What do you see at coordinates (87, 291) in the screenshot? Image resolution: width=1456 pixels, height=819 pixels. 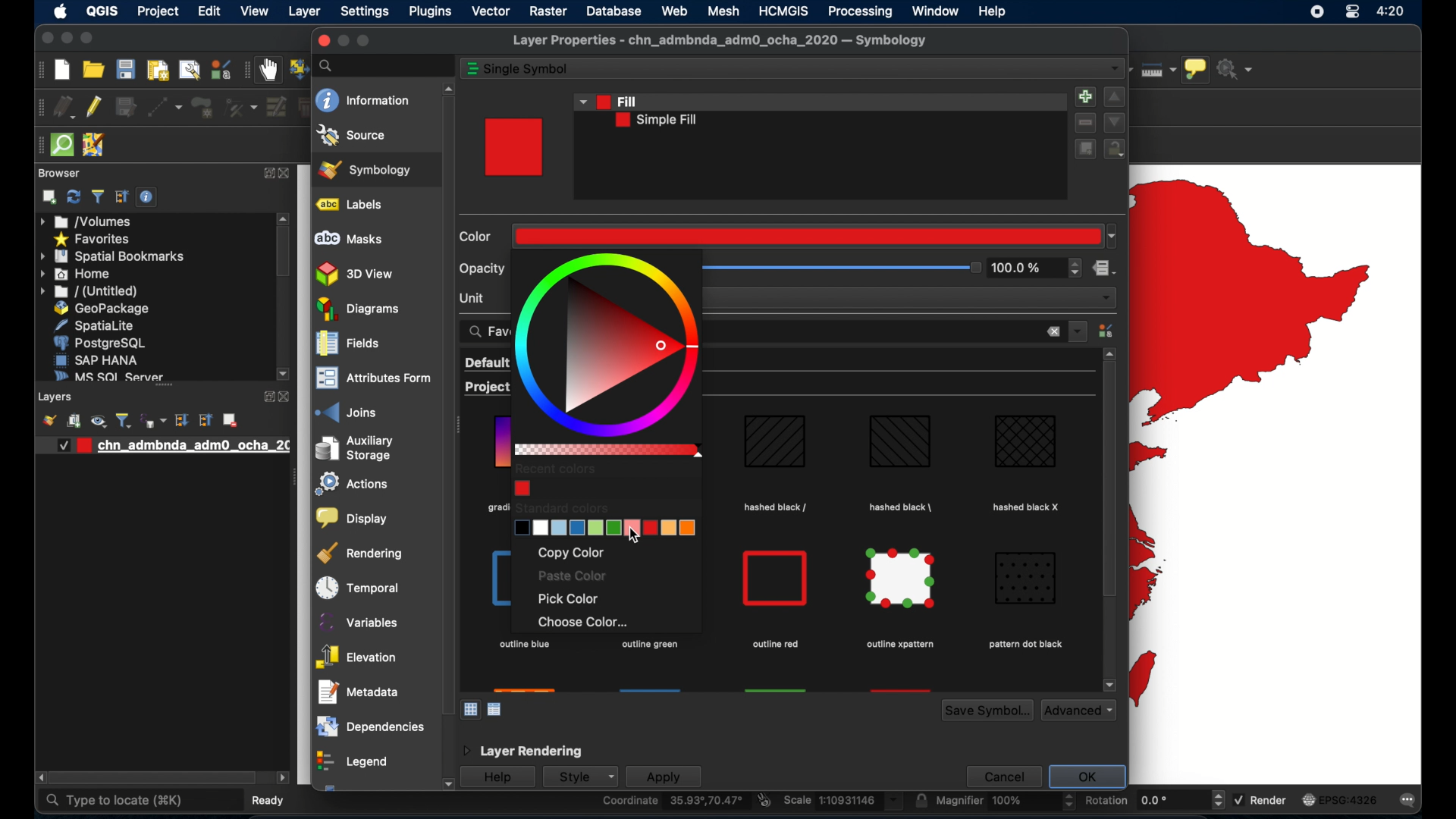 I see `untitled menu` at bounding box center [87, 291].